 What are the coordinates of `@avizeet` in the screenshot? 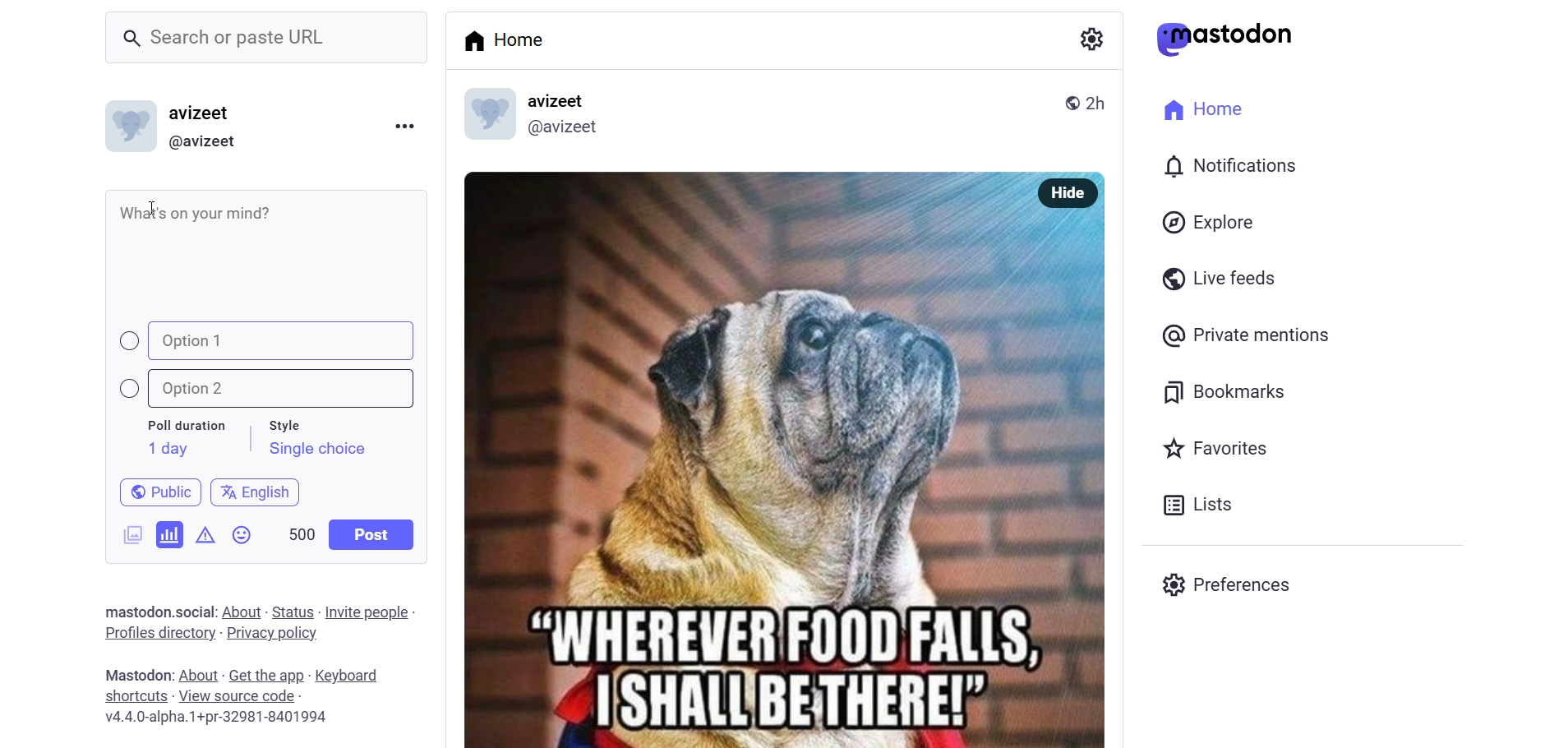 It's located at (562, 131).